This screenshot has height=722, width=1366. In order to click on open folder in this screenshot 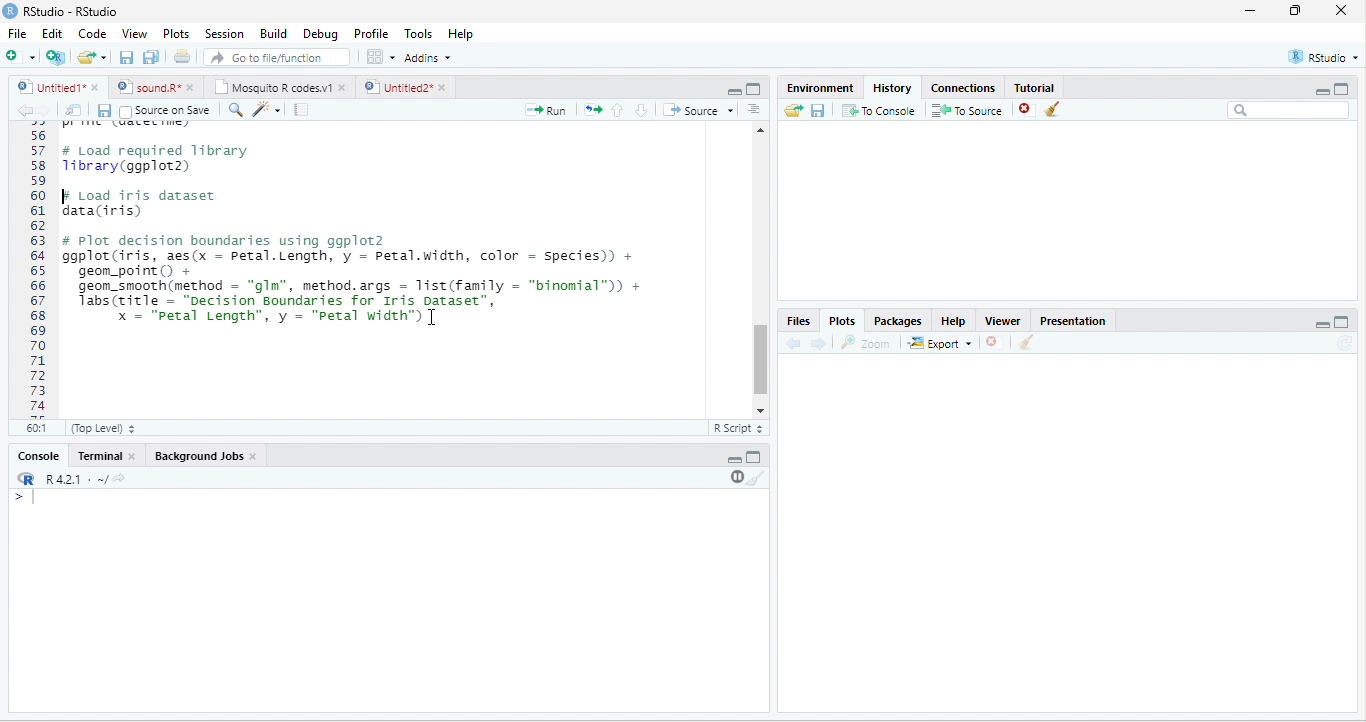, I will do `click(794, 110)`.